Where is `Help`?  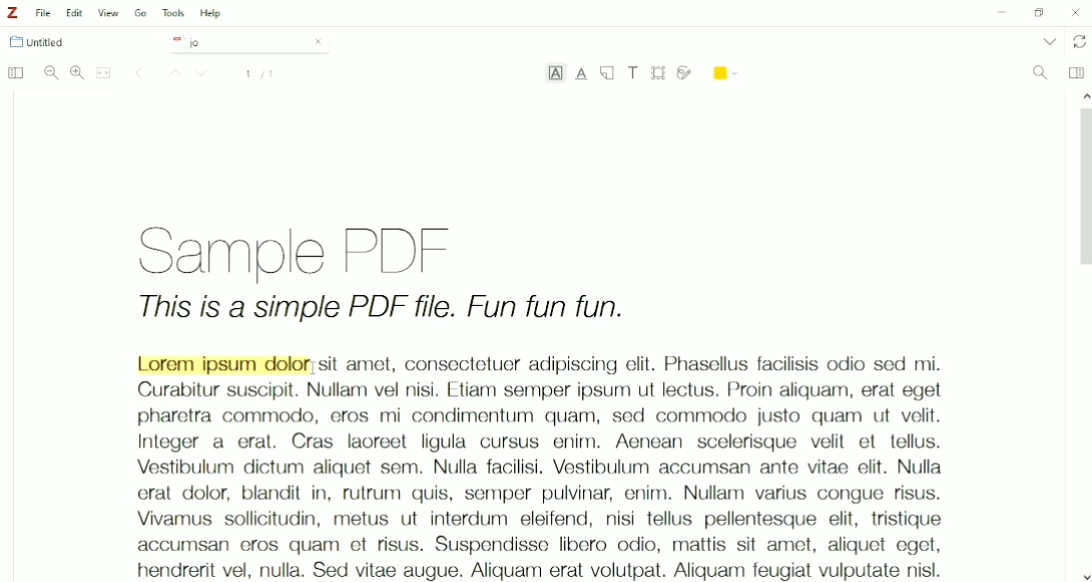 Help is located at coordinates (212, 14).